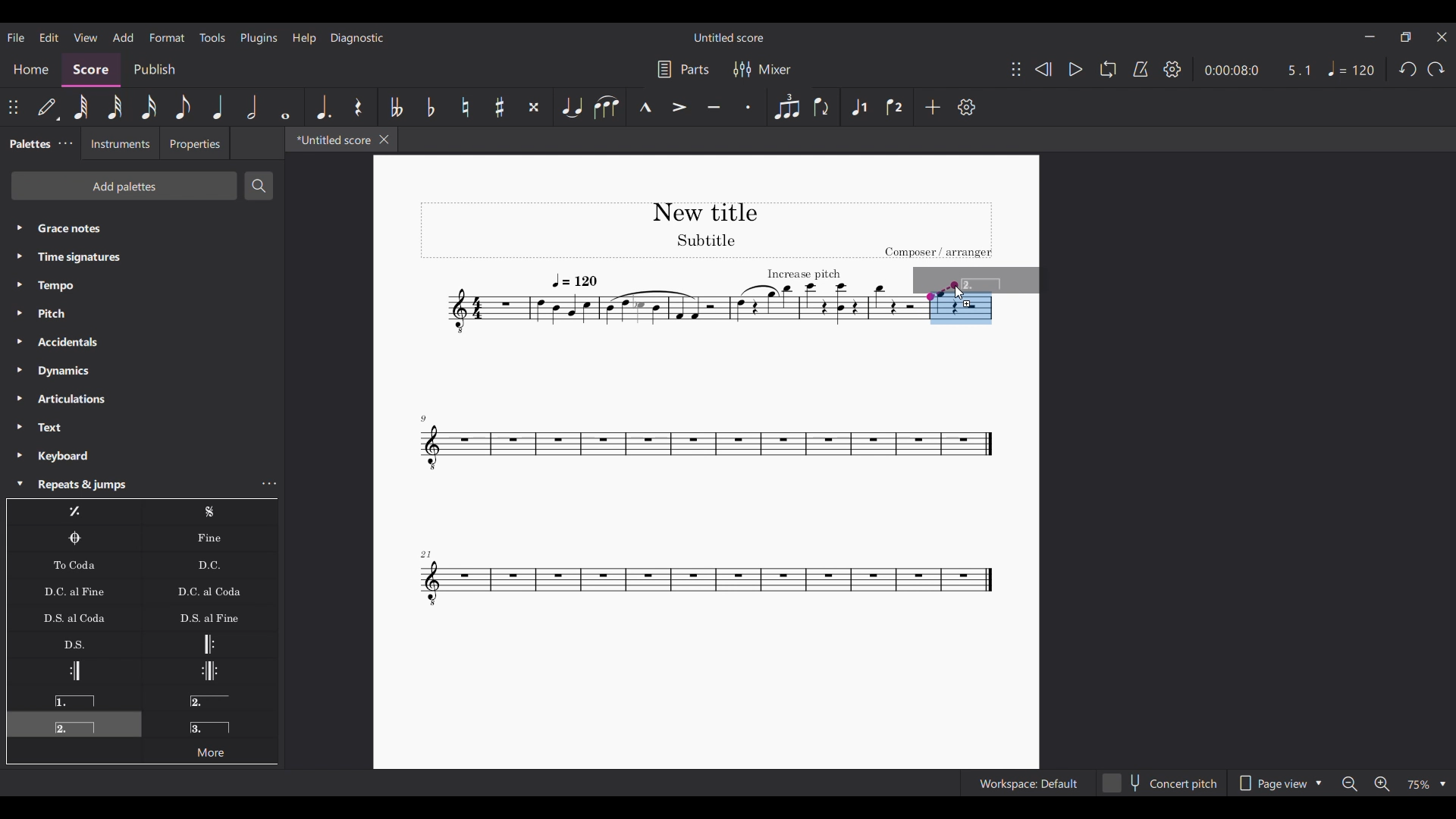  What do you see at coordinates (1425, 785) in the screenshot?
I see `Zoom options` at bounding box center [1425, 785].